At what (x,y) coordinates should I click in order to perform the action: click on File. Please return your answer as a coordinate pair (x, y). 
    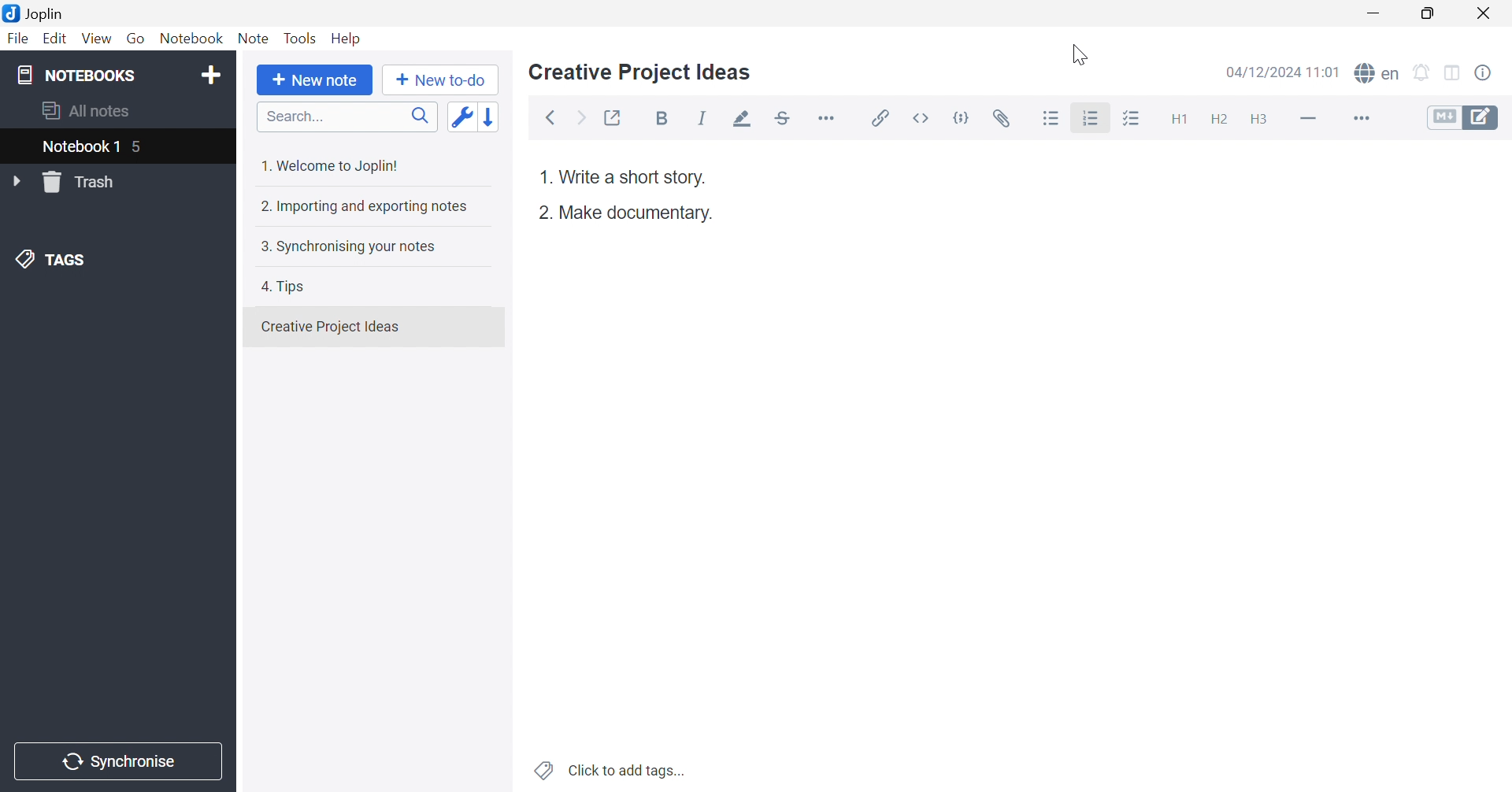
    Looking at the image, I should click on (17, 41).